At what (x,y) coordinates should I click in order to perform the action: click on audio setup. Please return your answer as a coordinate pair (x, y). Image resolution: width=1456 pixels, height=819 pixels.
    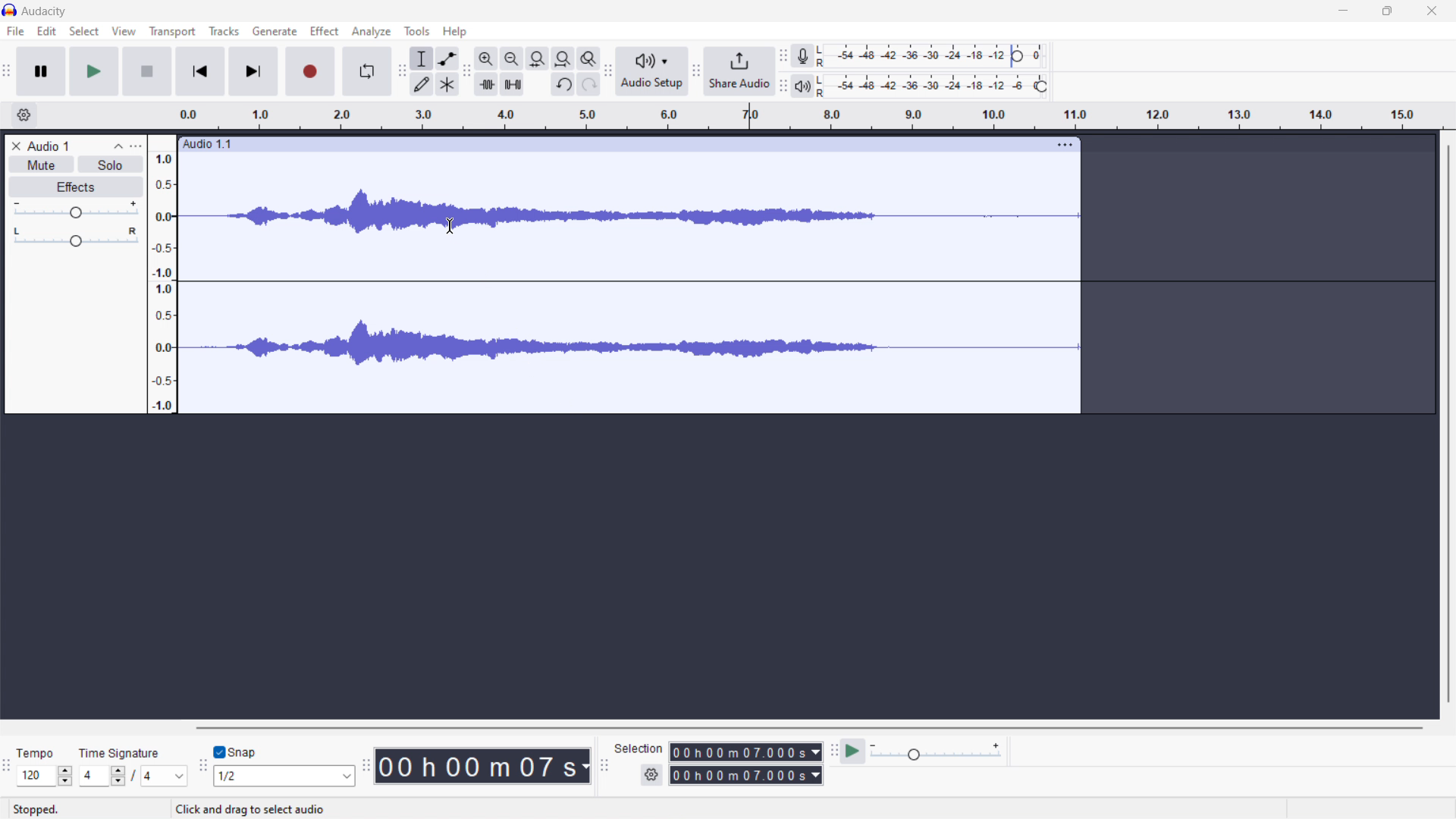
    Looking at the image, I should click on (652, 73).